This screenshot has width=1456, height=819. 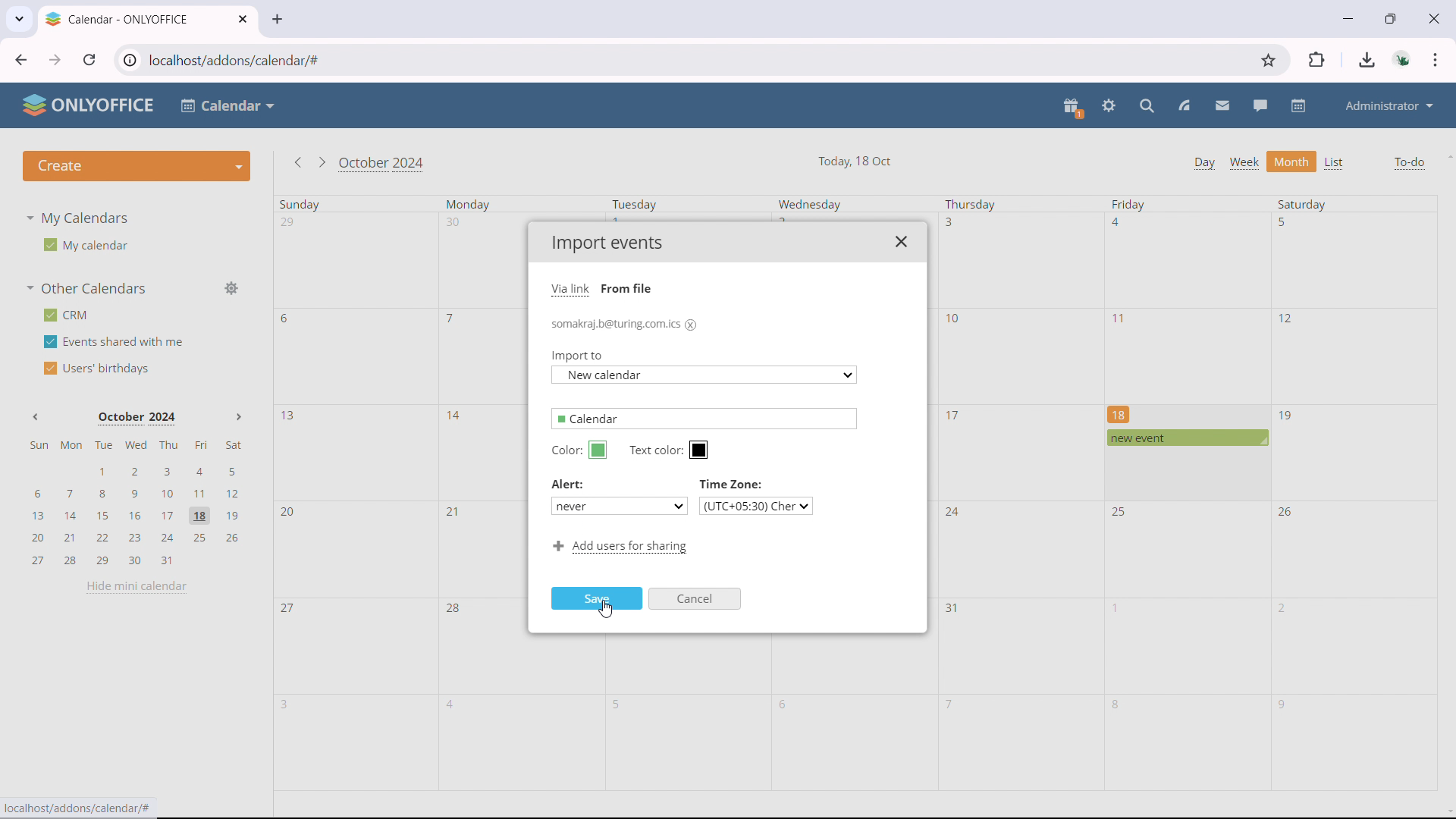 I want to click on Saturday, so click(x=1302, y=203).